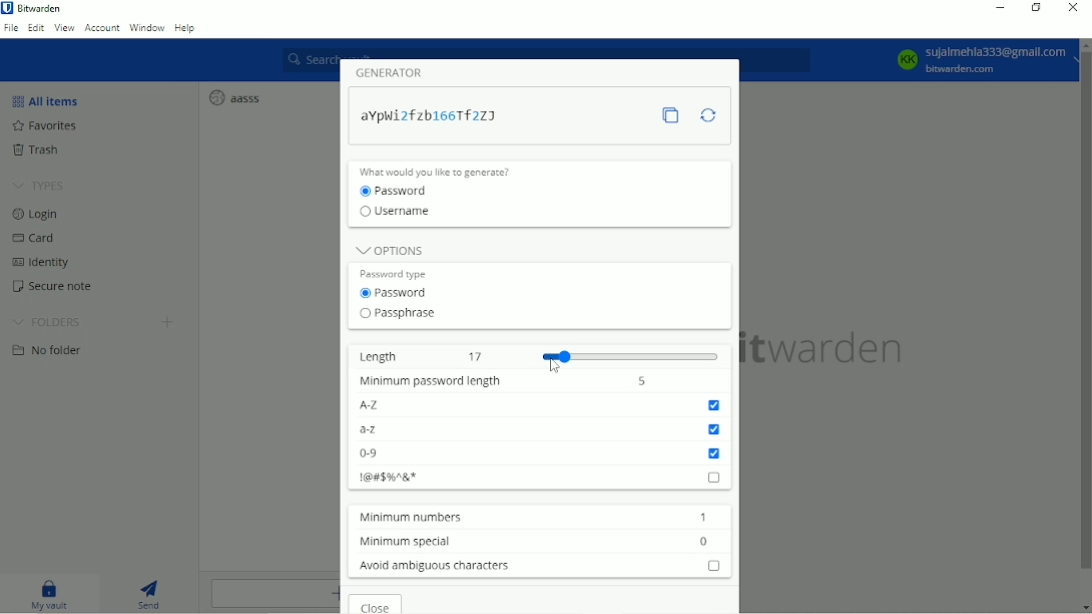 The width and height of the screenshot is (1092, 614). Describe the element at coordinates (1083, 316) in the screenshot. I see `Vertical scrollbar` at that location.